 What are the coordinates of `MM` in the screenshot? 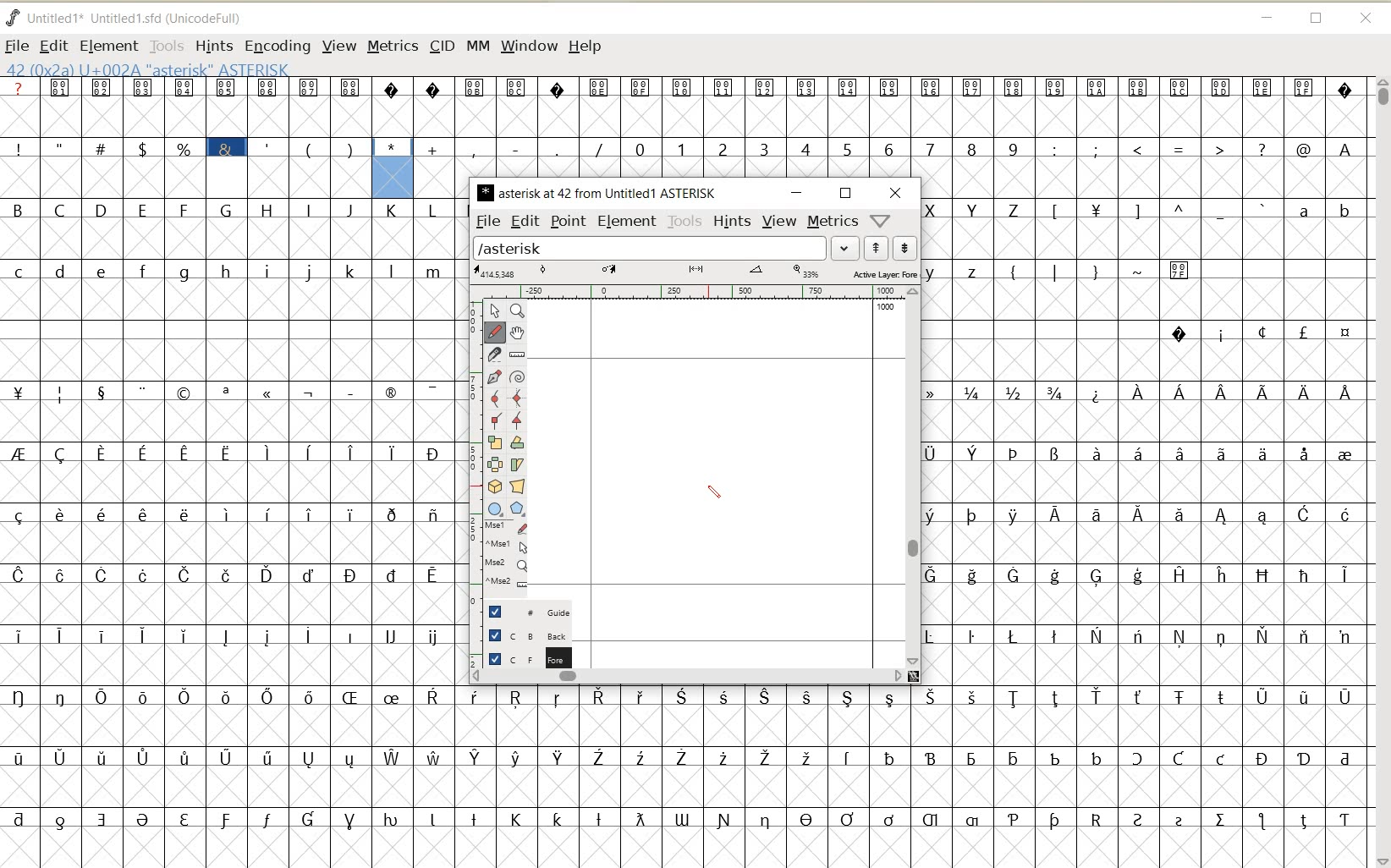 It's located at (477, 47).